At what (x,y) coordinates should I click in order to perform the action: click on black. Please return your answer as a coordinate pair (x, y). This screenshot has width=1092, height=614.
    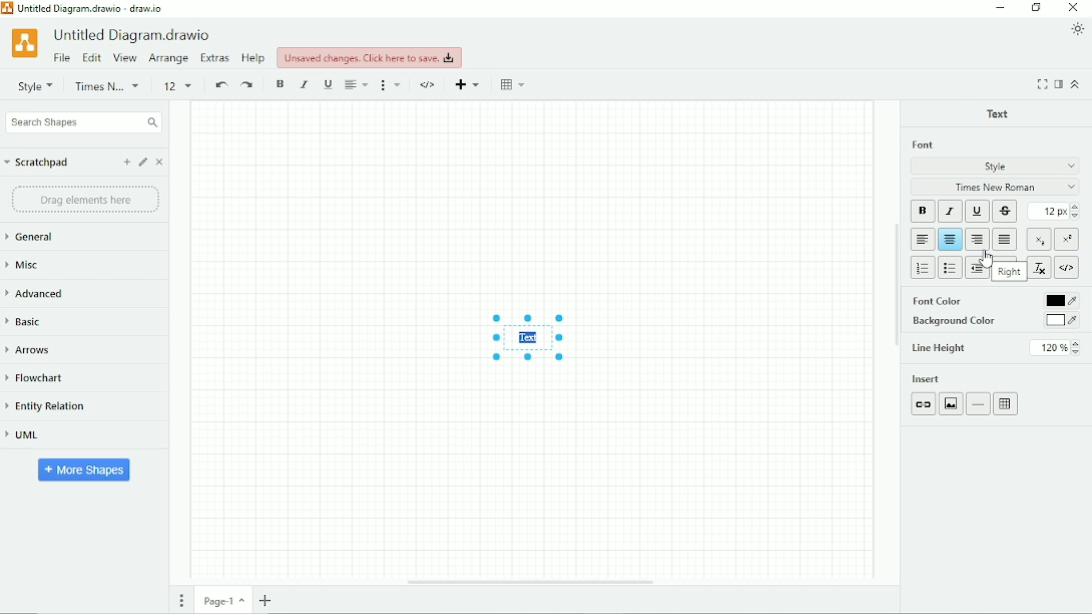
    Looking at the image, I should click on (1061, 297).